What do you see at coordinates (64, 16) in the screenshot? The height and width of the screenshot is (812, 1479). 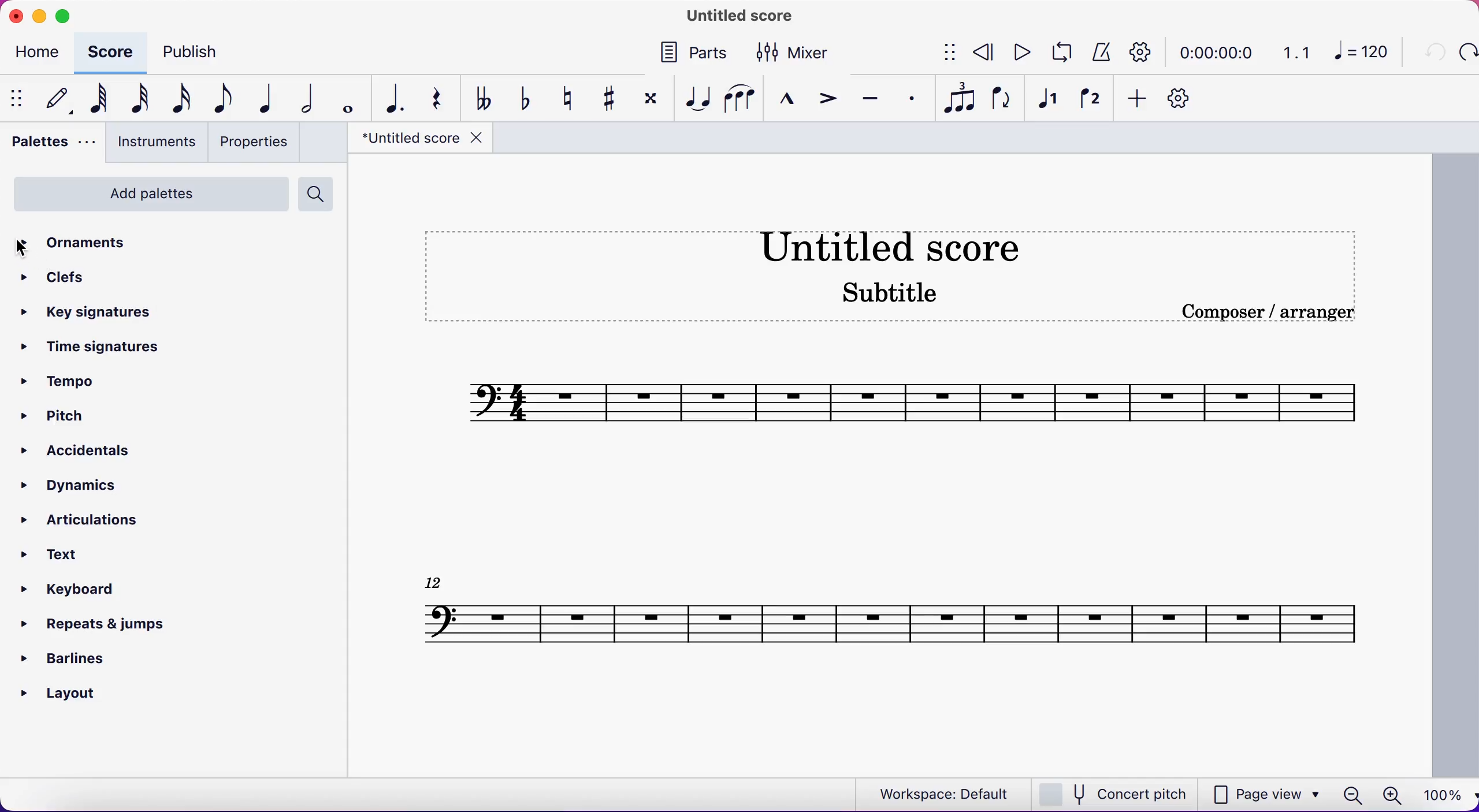 I see `maximize` at bounding box center [64, 16].